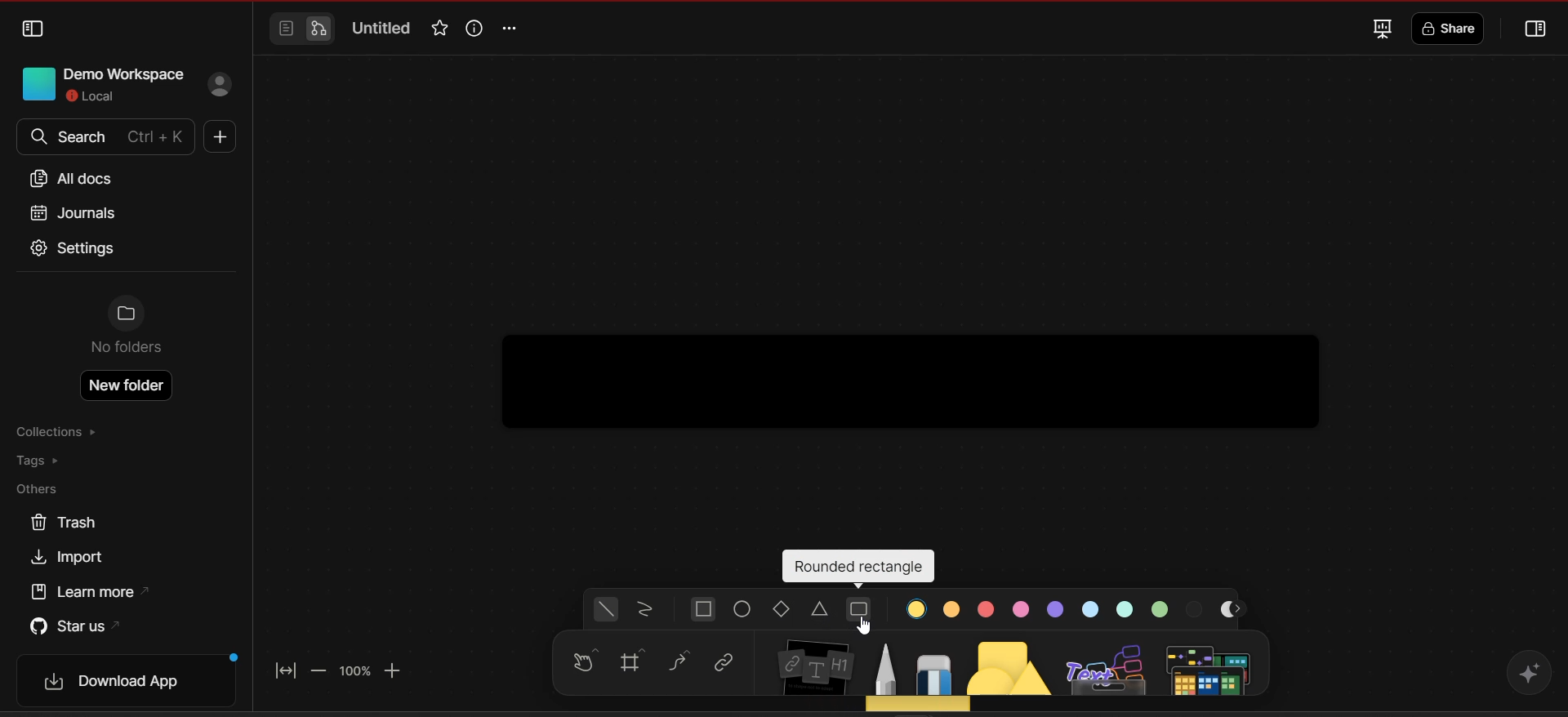 This screenshot has height=717, width=1568. I want to click on Demo workspace local, so click(97, 82).